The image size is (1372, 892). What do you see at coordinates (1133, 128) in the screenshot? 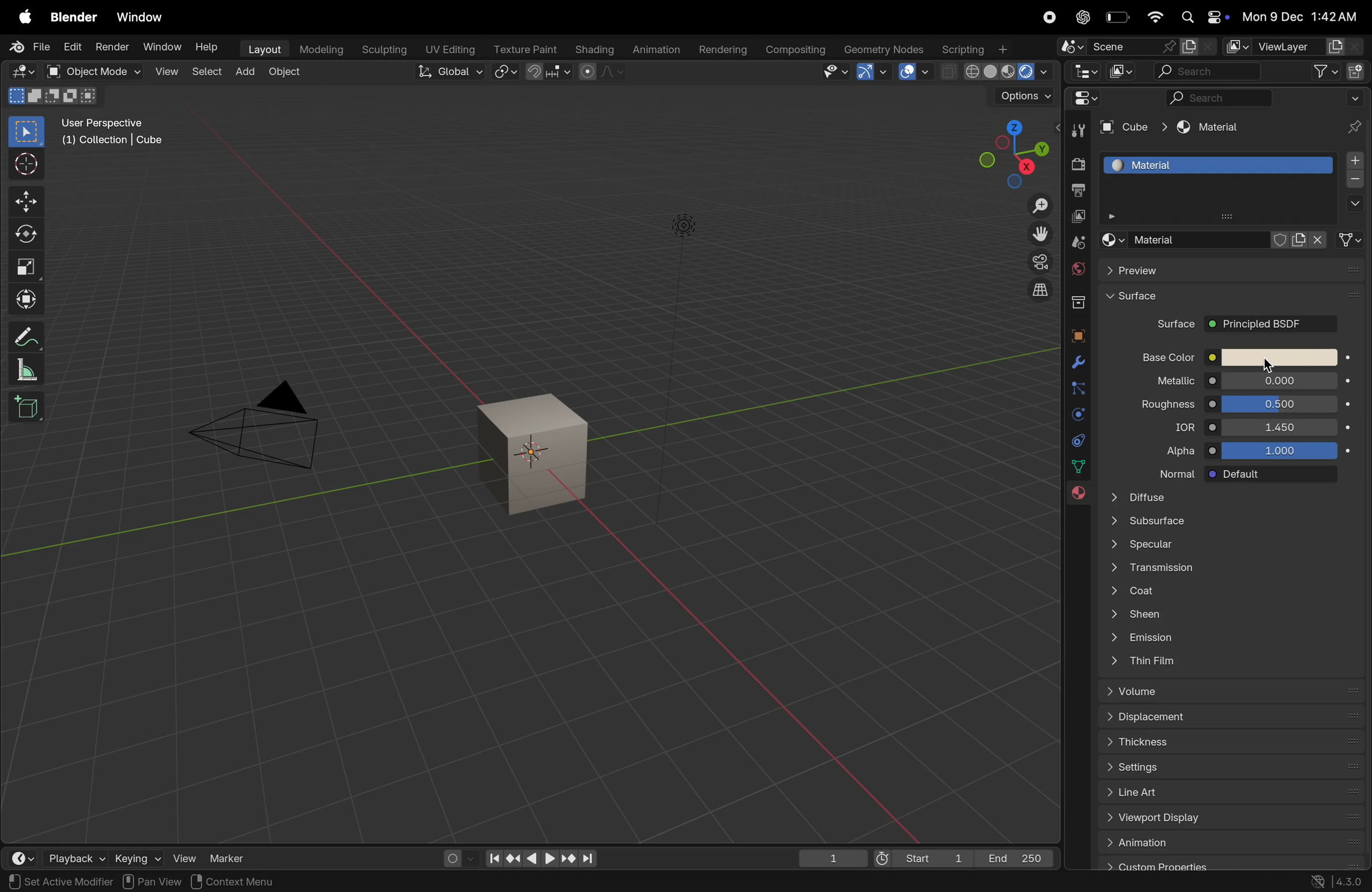
I see `Cube` at bounding box center [1133, 128].